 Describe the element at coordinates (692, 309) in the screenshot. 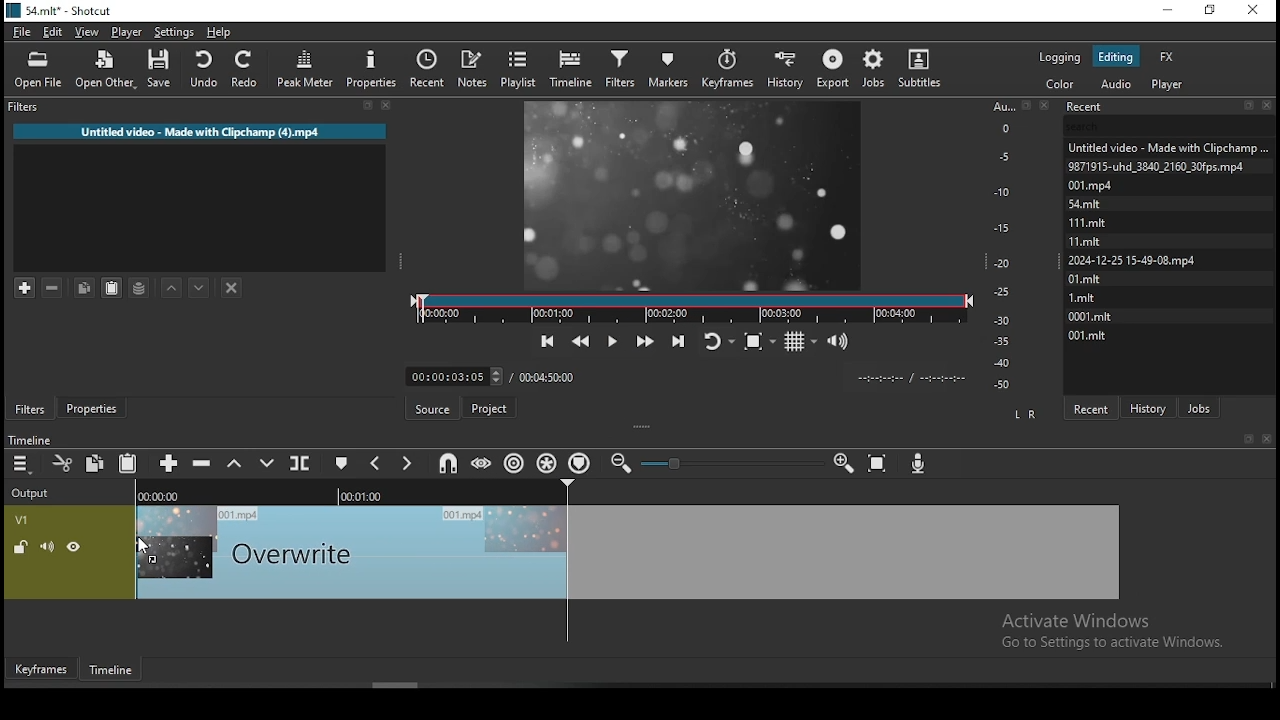

I see `playback progress bar` at that location.